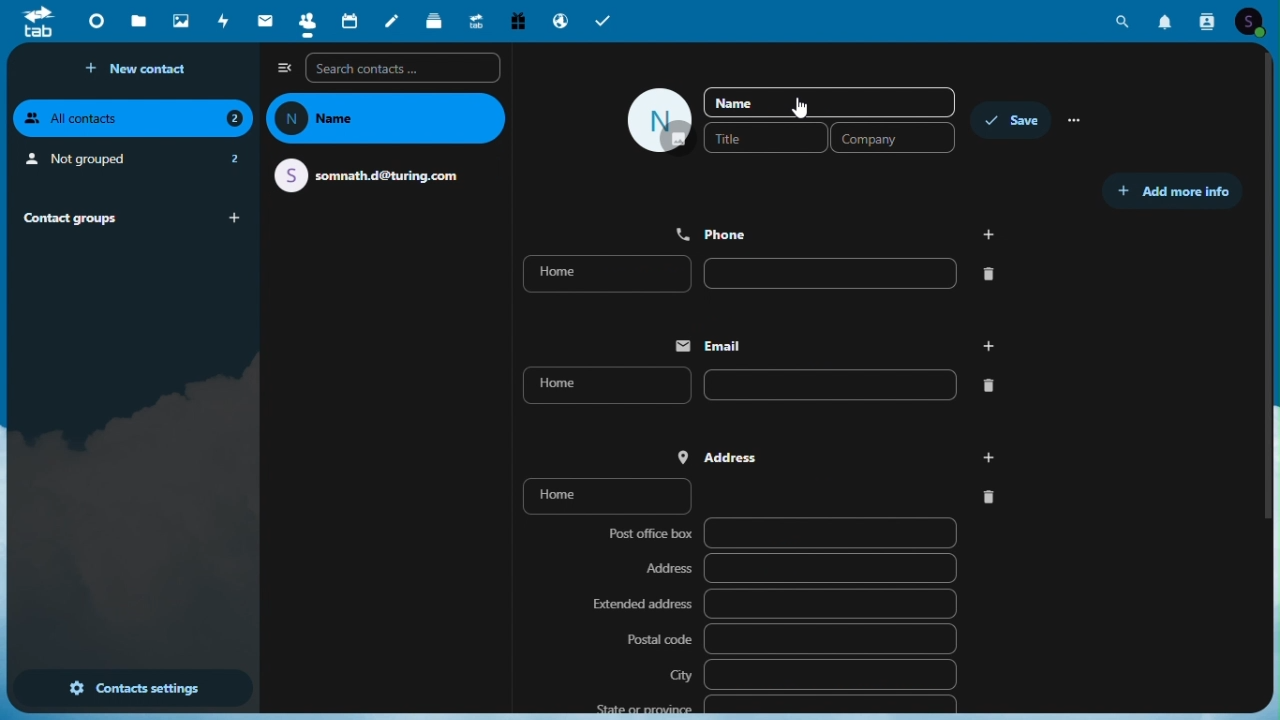 The width and height of the screenshot is (1280, 720). Describe the element at coordinates (769, 274) in the screenshot. I see `home` at that location.